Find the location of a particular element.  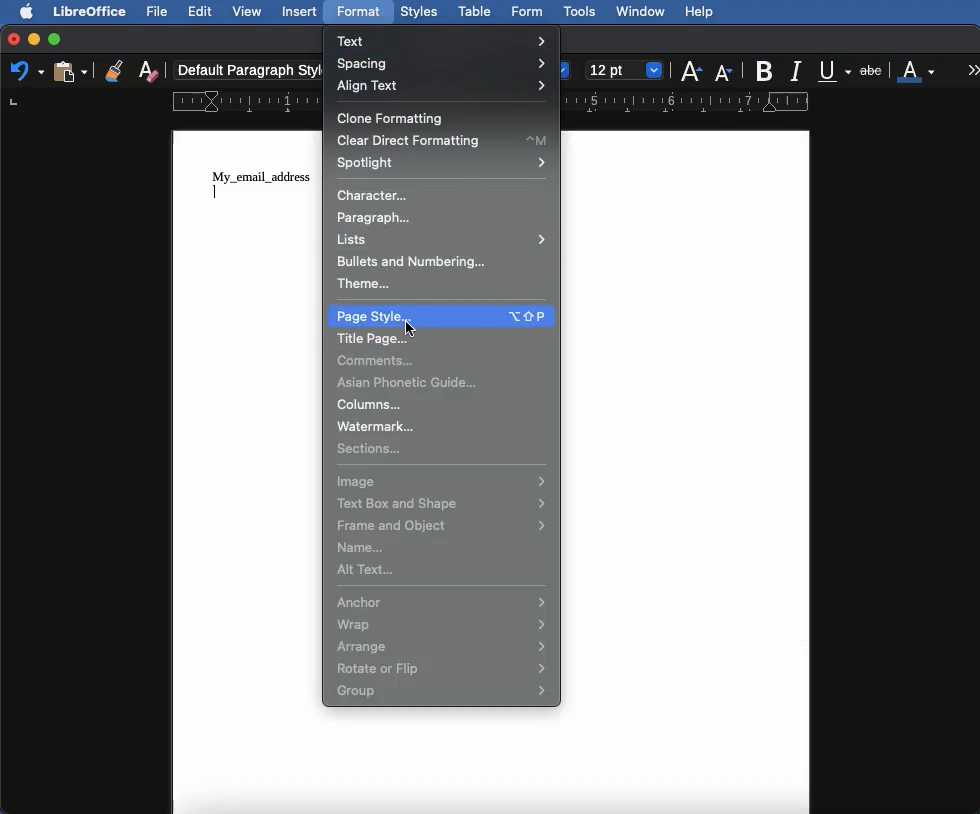

Styles is located at coordinates (418, 11).